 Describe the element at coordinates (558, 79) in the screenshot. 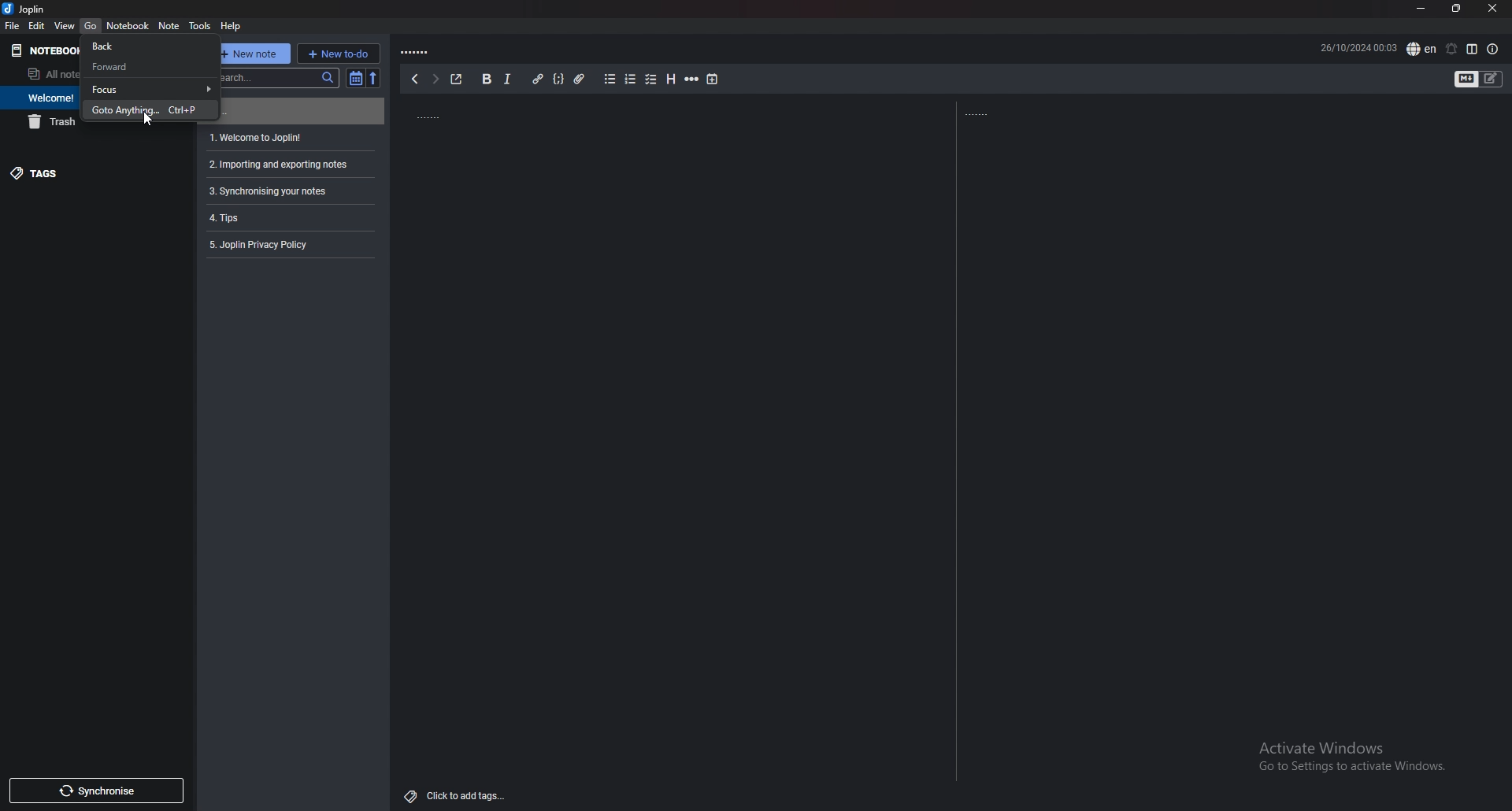

I see `code` at that location.